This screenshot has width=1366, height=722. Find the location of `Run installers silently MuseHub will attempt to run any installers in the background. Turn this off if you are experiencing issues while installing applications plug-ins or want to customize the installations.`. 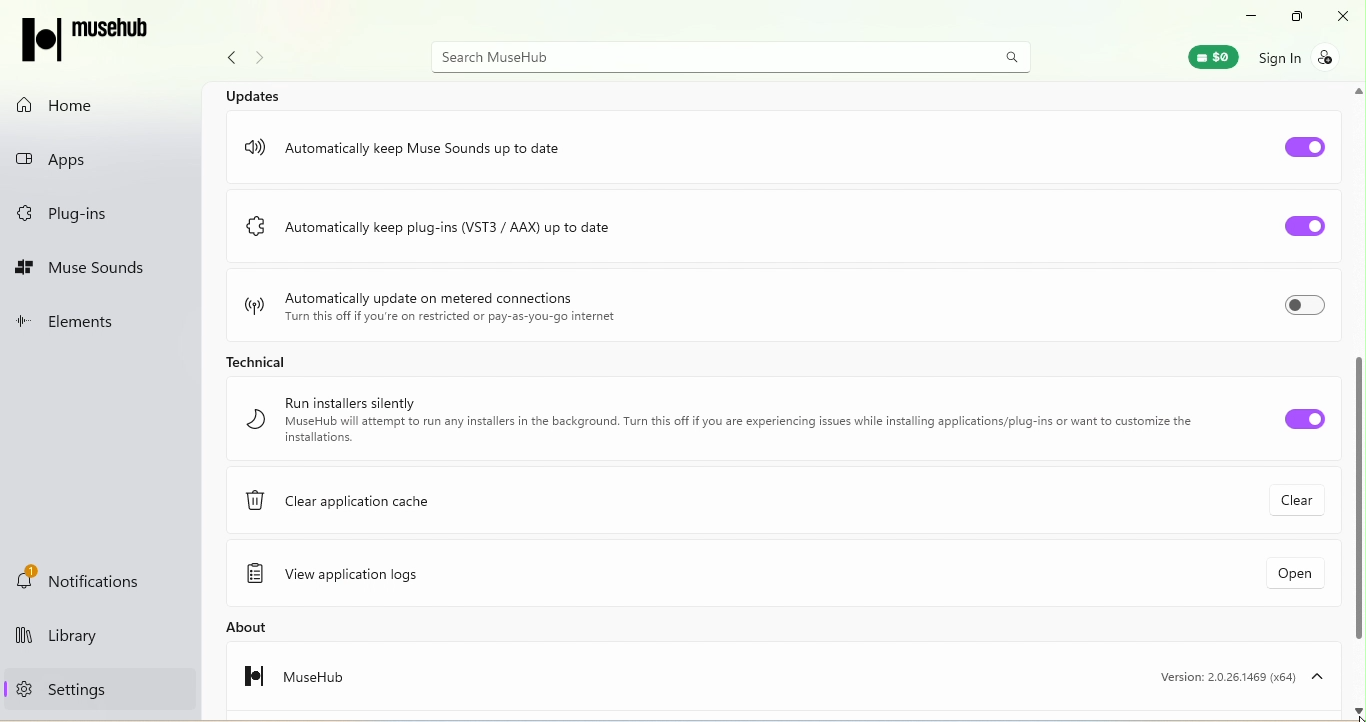

Run installers silently MuseHub will attempt to run any installers in the background. Turn this off if you are experiencing issues while installing applications plug-ins or want to customize the installations. is located at coordinates (717, 420).